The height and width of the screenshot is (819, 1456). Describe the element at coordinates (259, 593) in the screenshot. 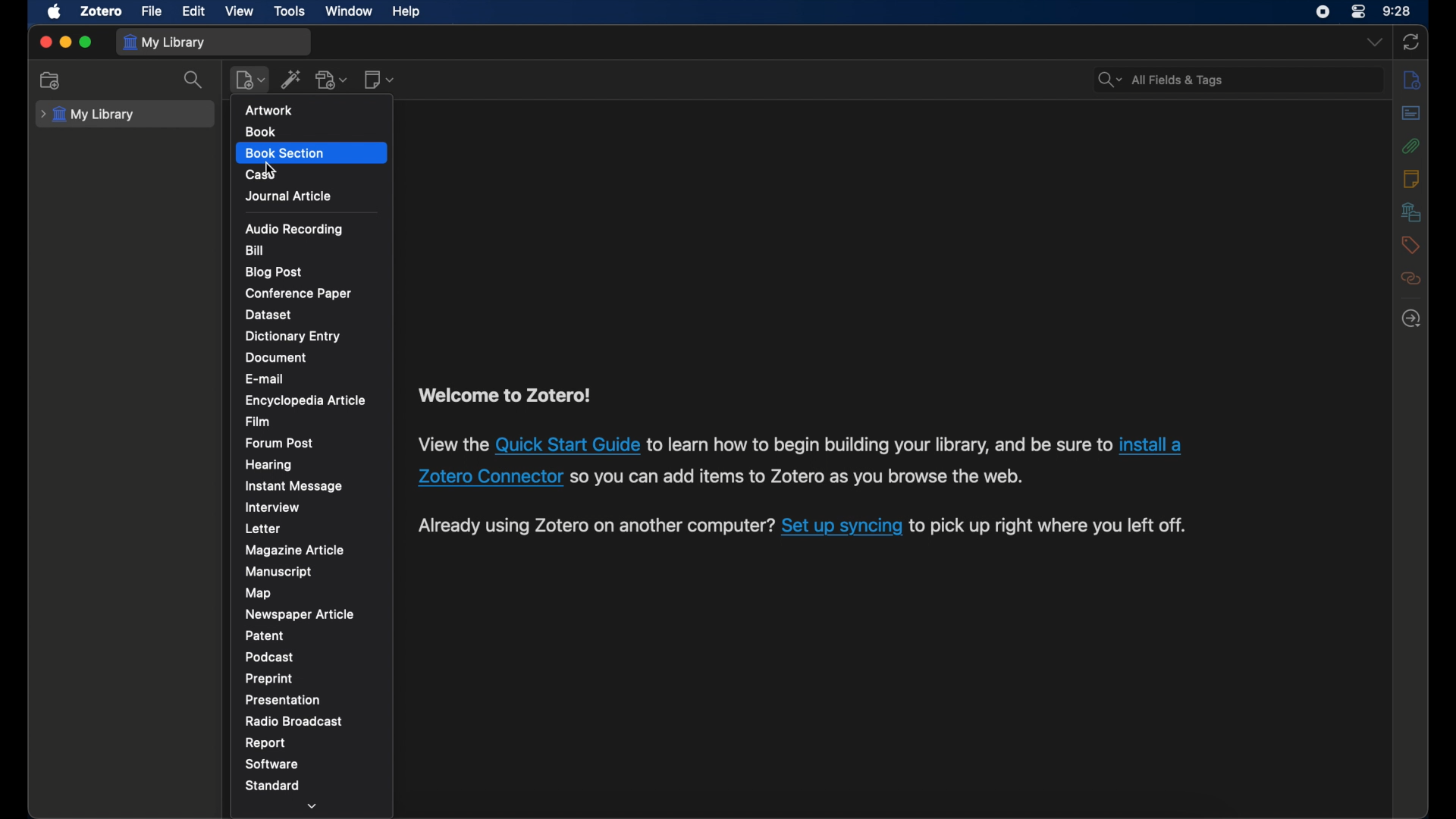

I see `map` at that location.